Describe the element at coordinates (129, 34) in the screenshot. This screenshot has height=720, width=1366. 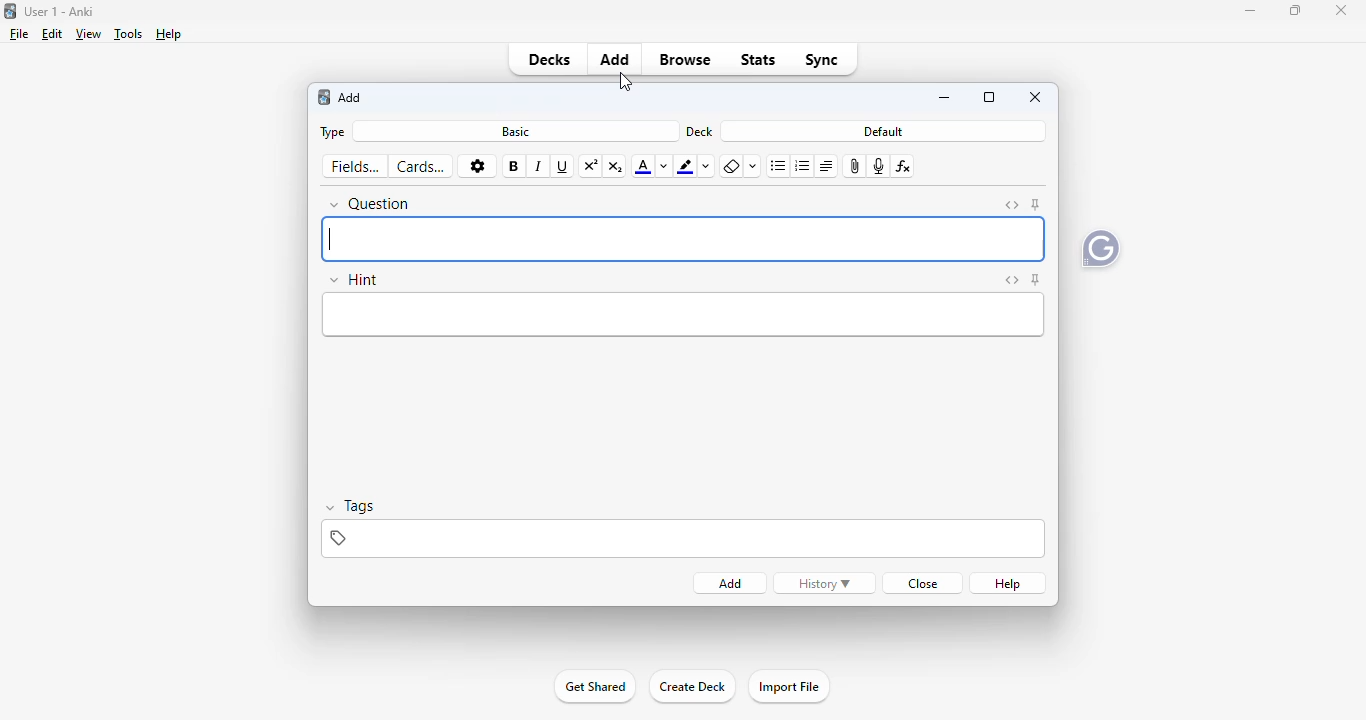
I see `tools` at that location.